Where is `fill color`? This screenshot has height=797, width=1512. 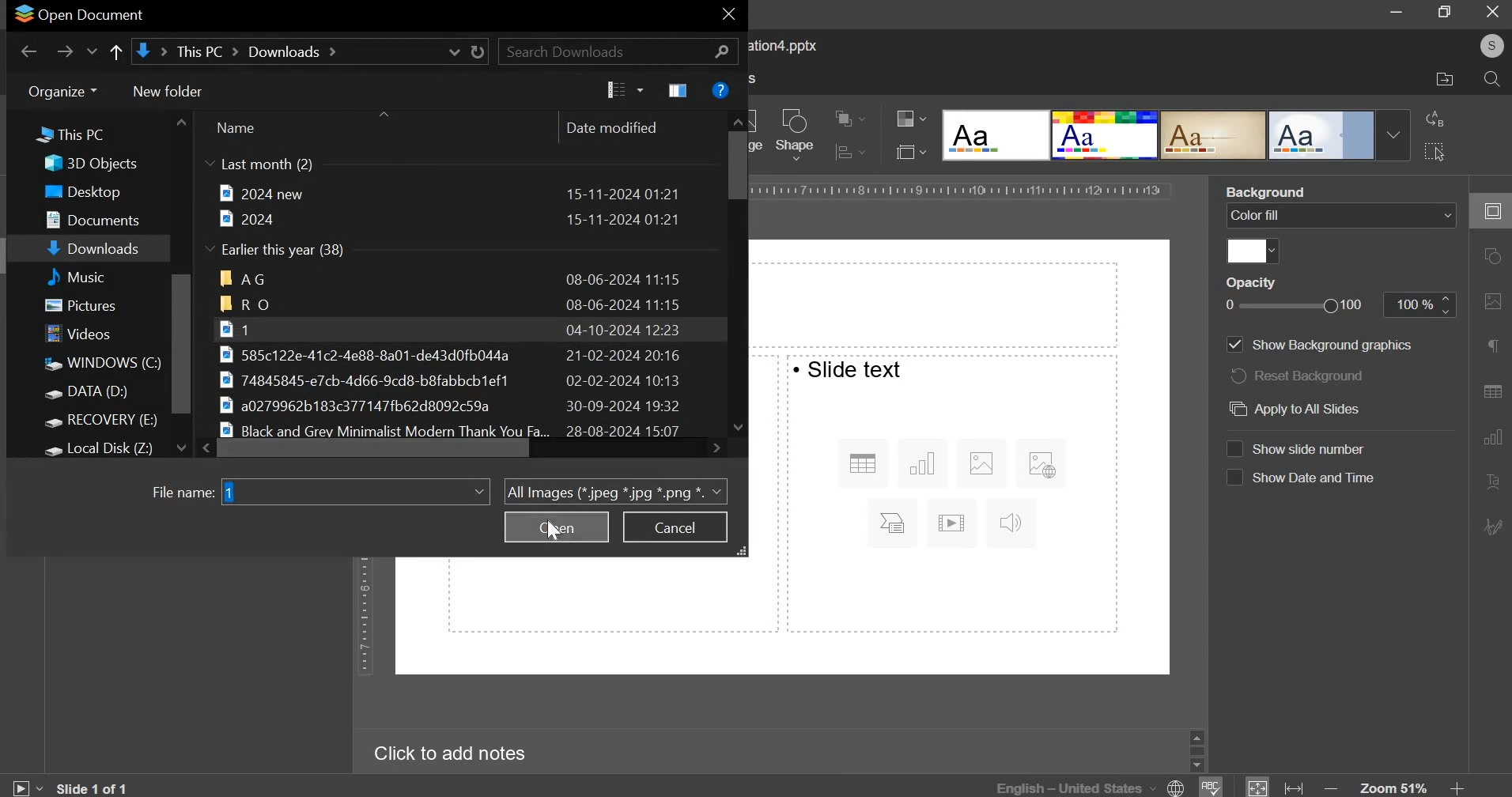
fill color is located at coordinates (1253, 251).